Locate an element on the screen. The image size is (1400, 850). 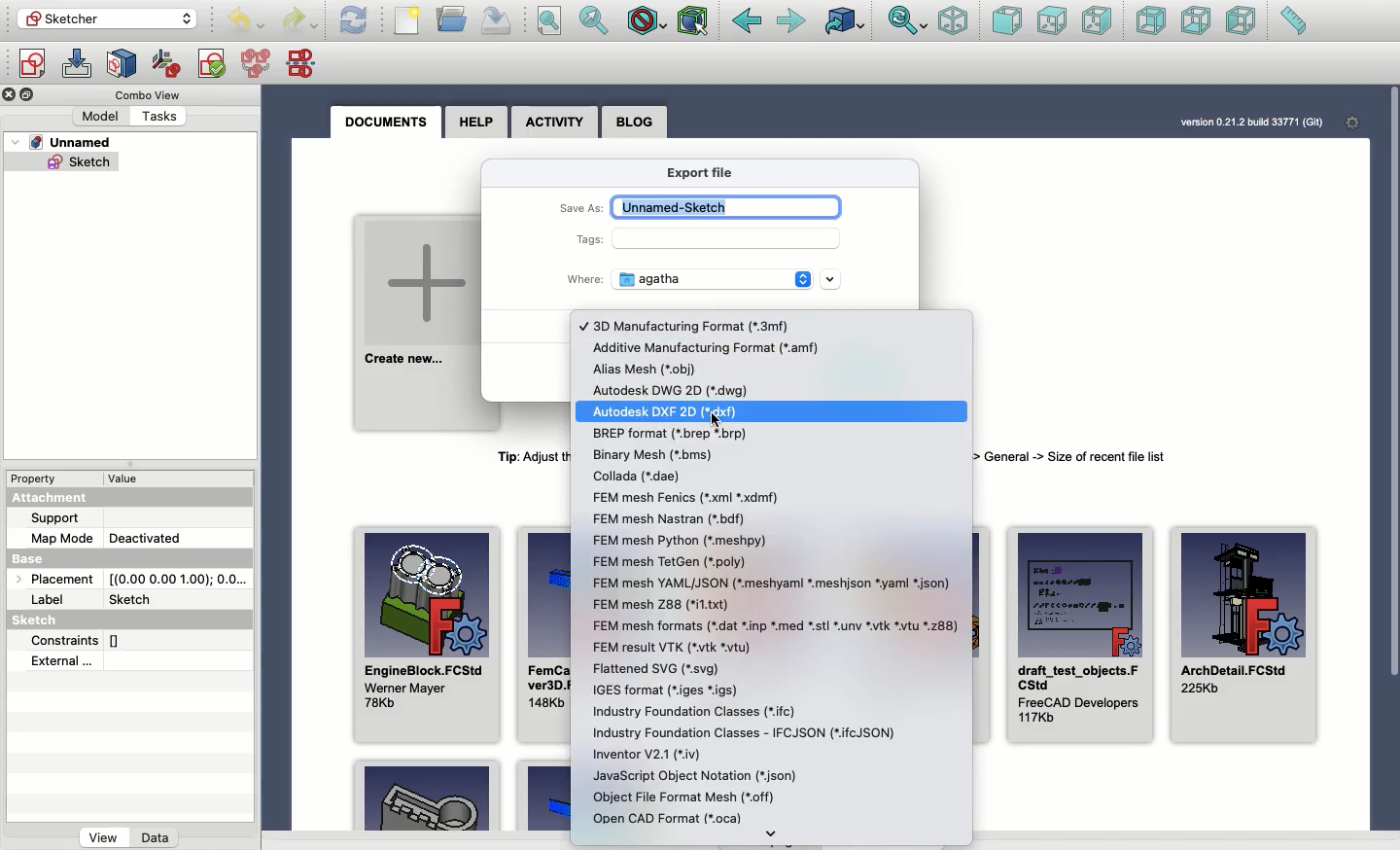
Fit all is located at coordinates (554, 20).